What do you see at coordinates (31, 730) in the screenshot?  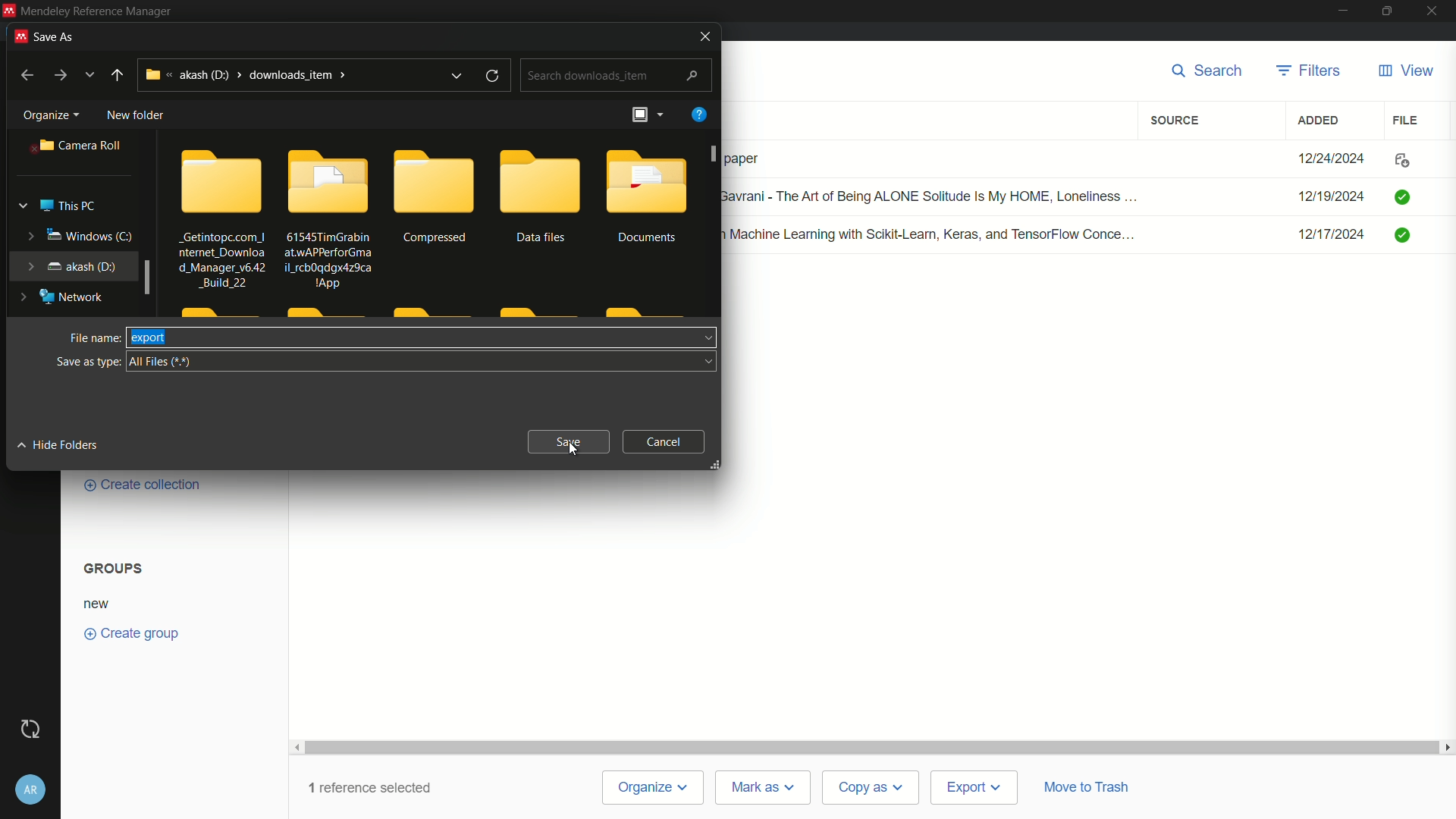 I see `sync` at bounding box center [31, 730].